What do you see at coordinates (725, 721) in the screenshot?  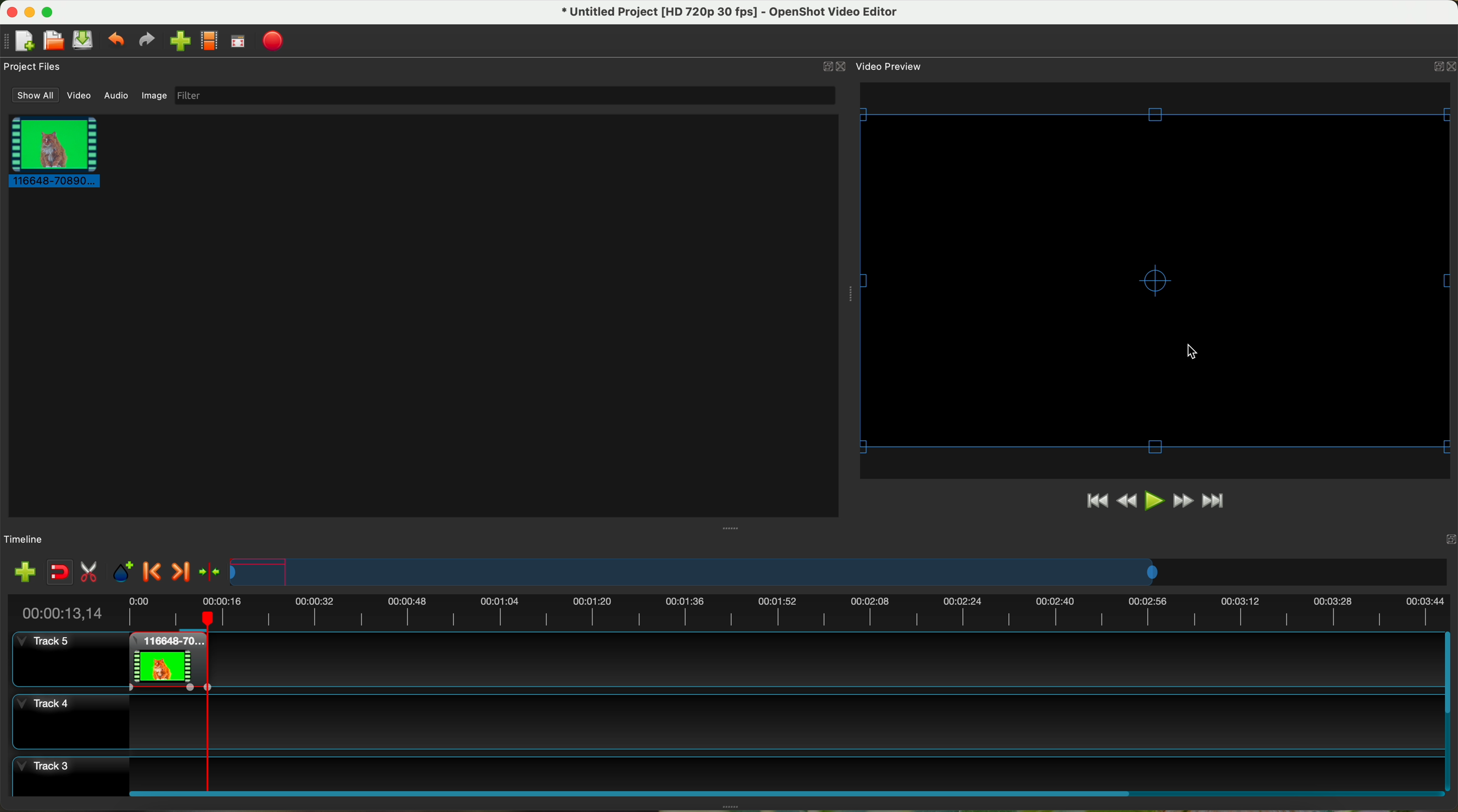 I see `track 4` at bounding box center [725, 721].